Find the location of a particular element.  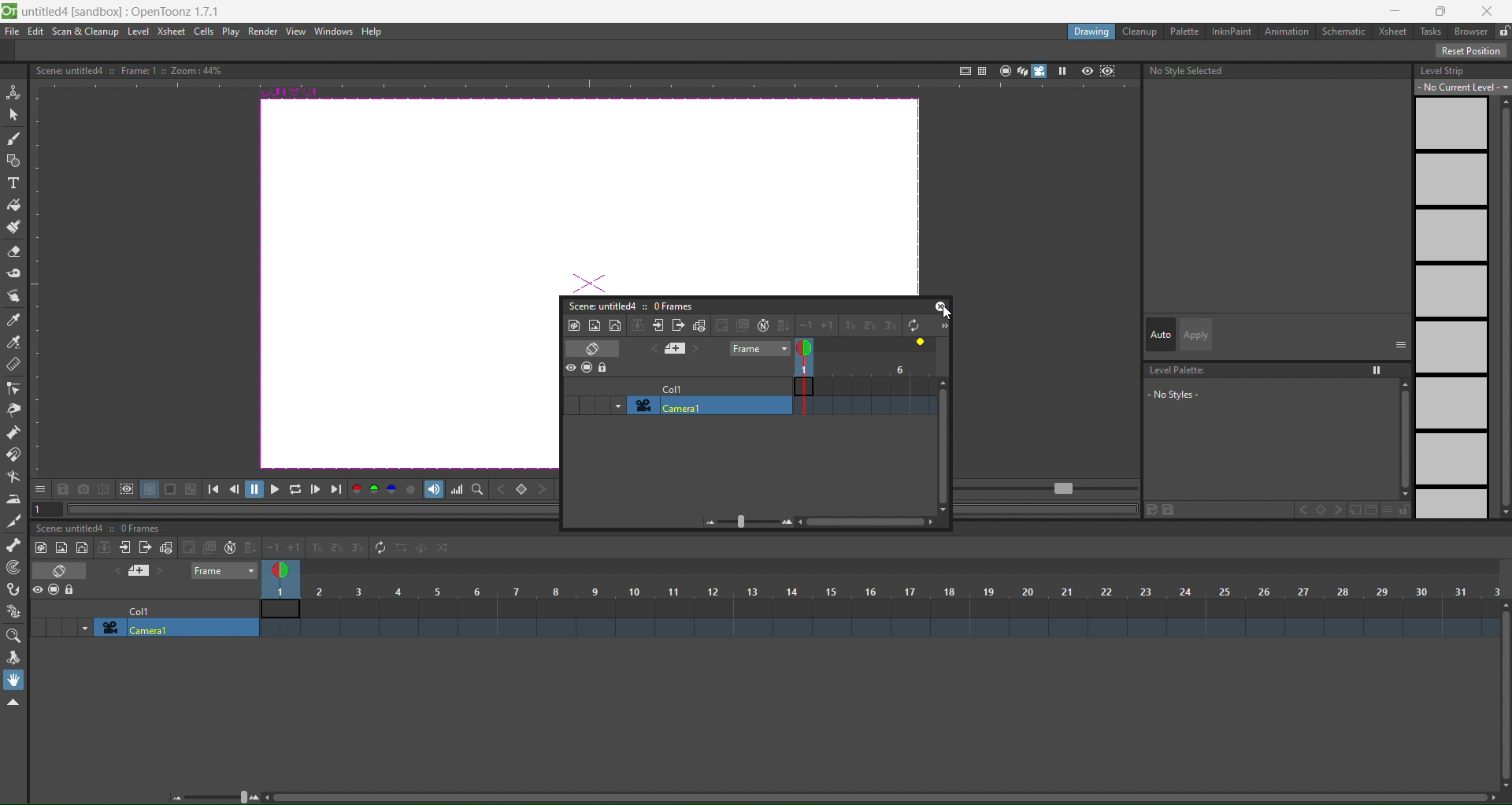

0 frames is located at coordinates (673, 306).